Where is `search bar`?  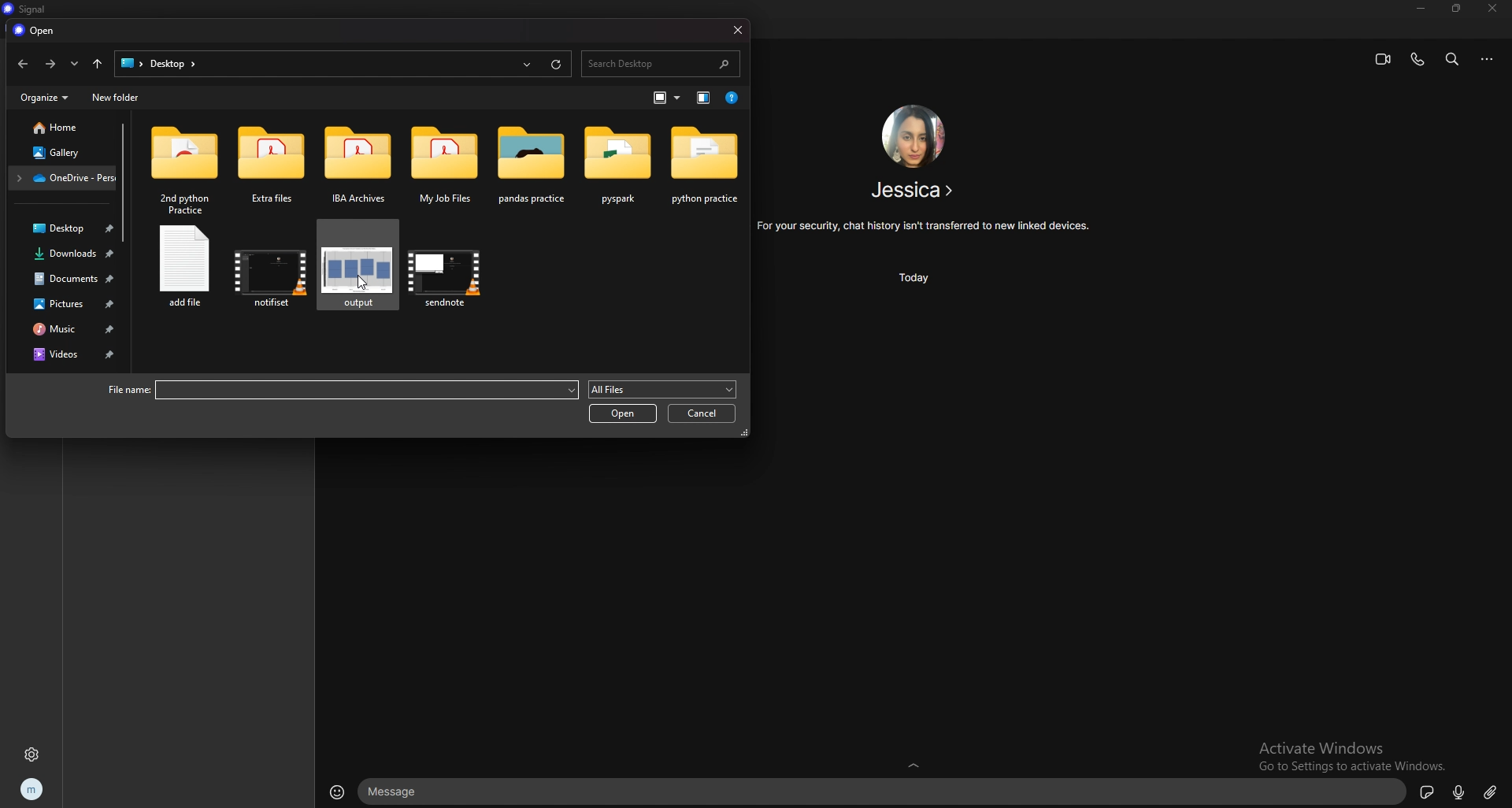
search bar is located at coordinates (1453, 59).